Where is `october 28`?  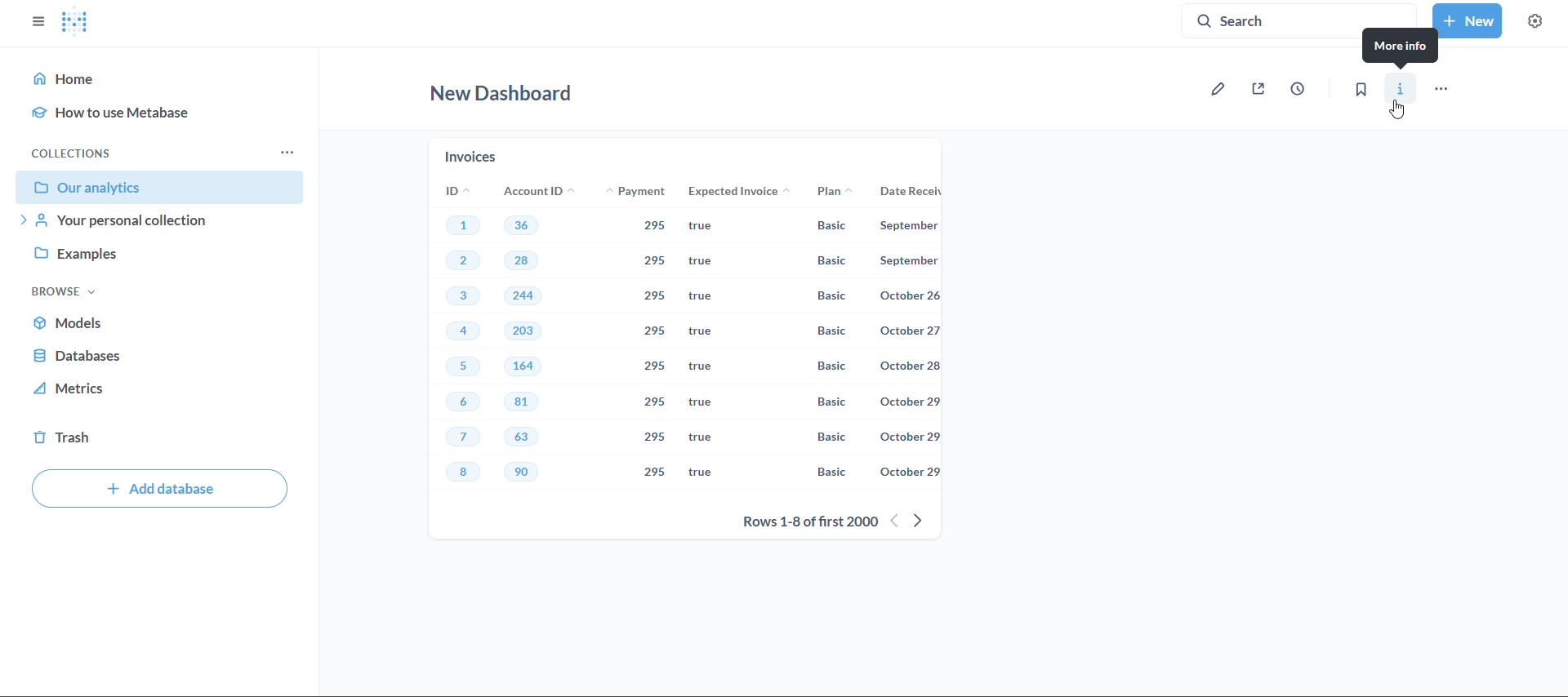 october 28 is located at coordinates (910, 366).